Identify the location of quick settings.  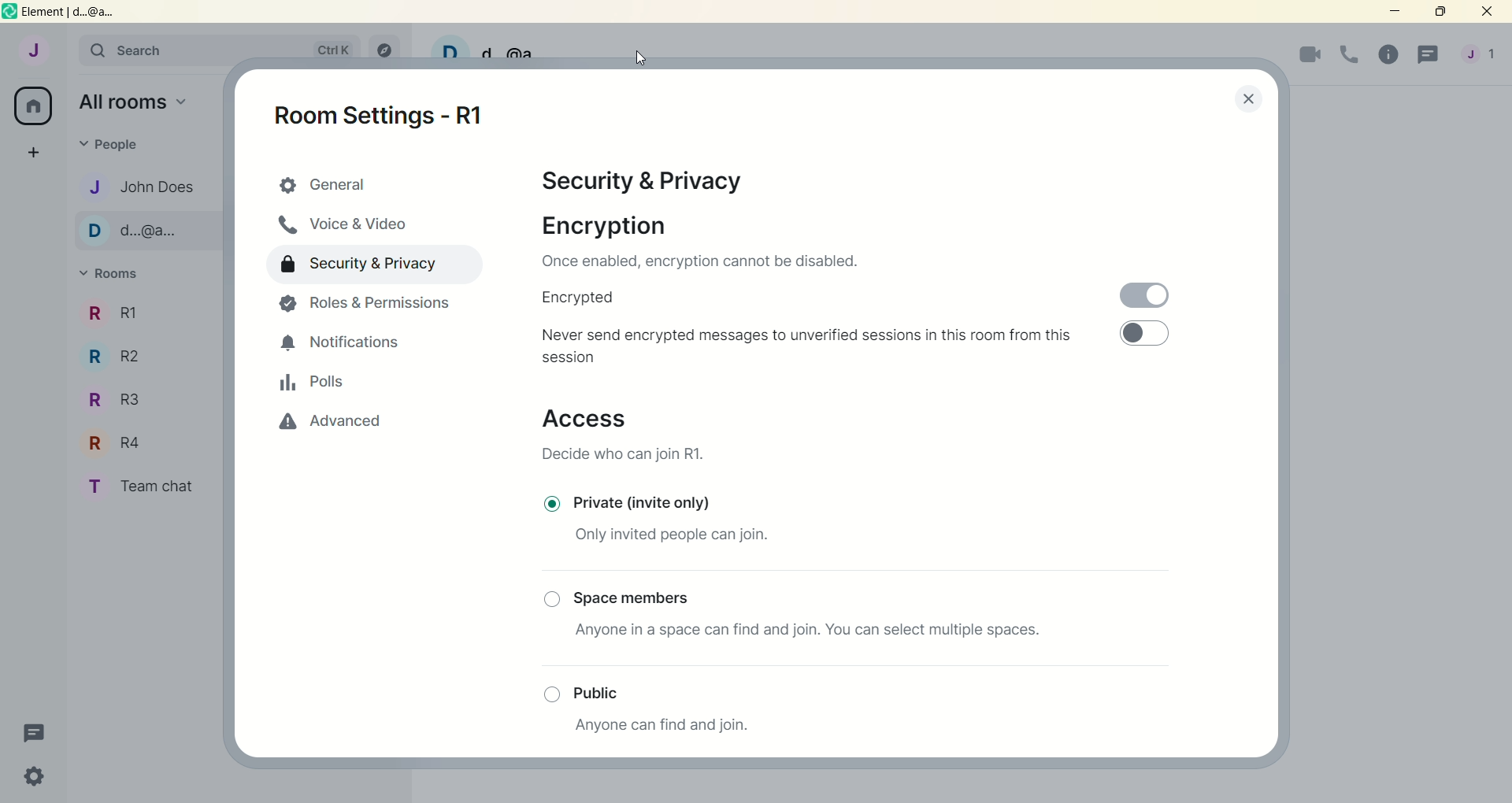
(31, 775).